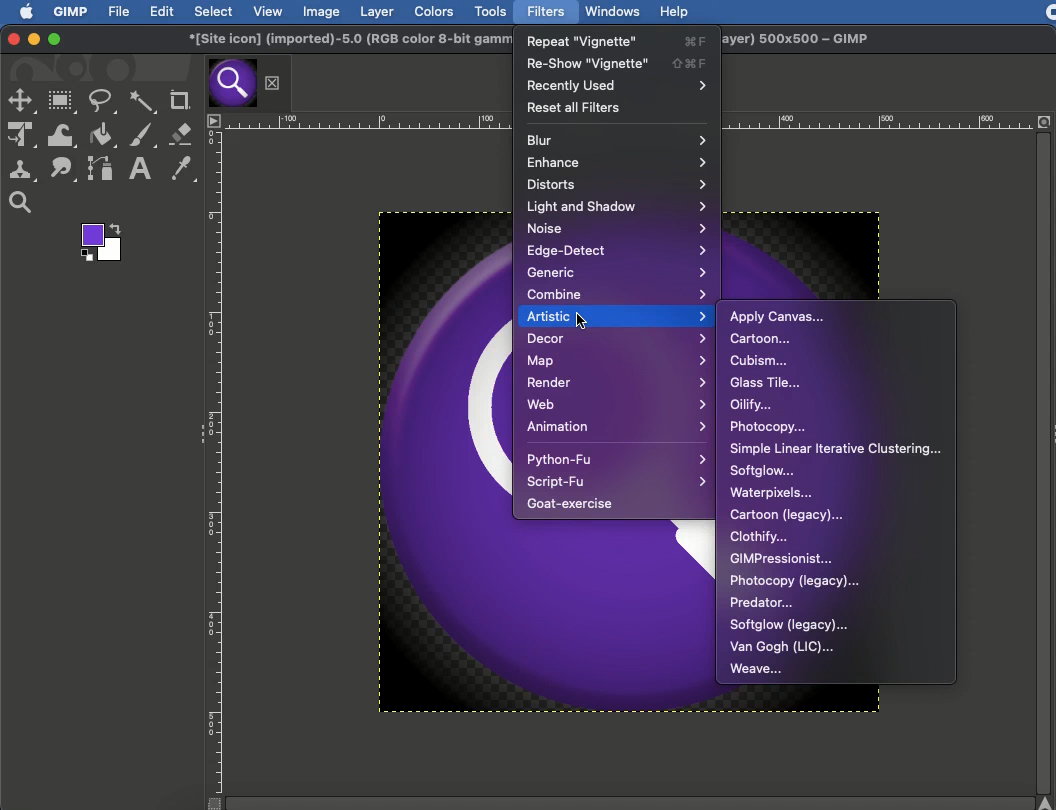 This screenshot has height=810, width=1056. Describe the element at coordinates (615, 361) in the screenshot. I see `Map` at that location.